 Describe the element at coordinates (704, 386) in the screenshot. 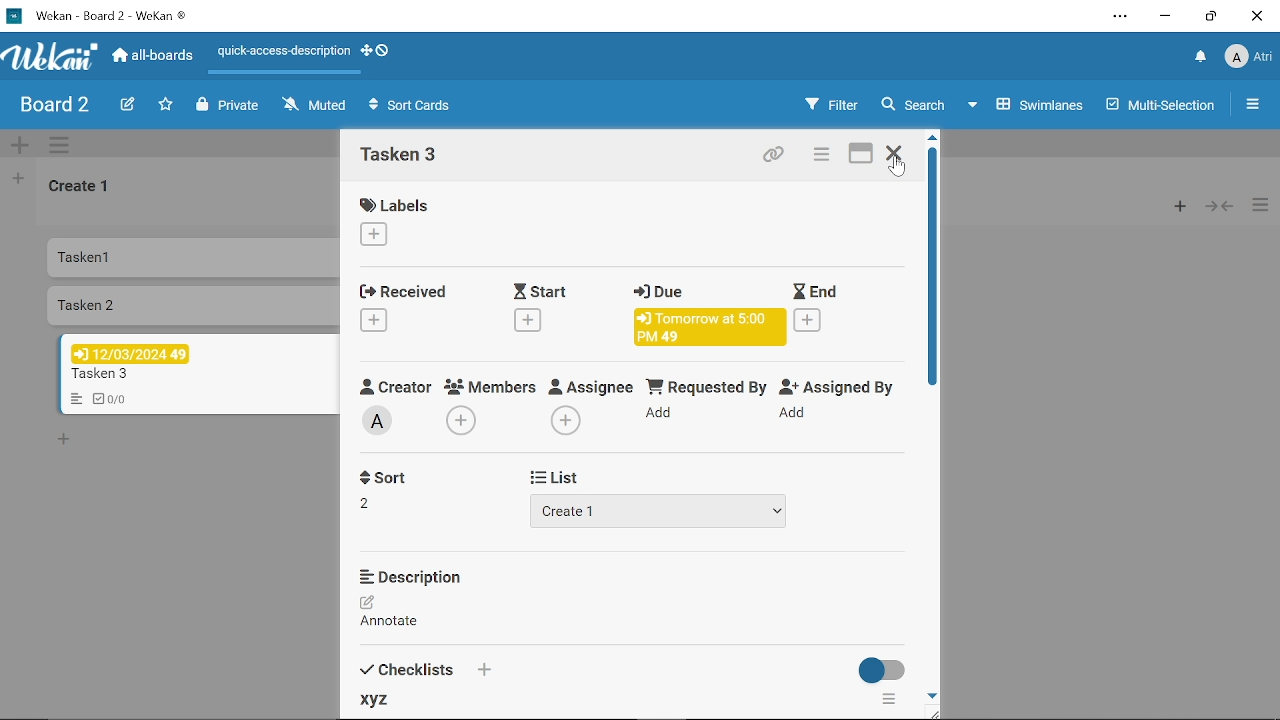

I see `Requested By` at that location.